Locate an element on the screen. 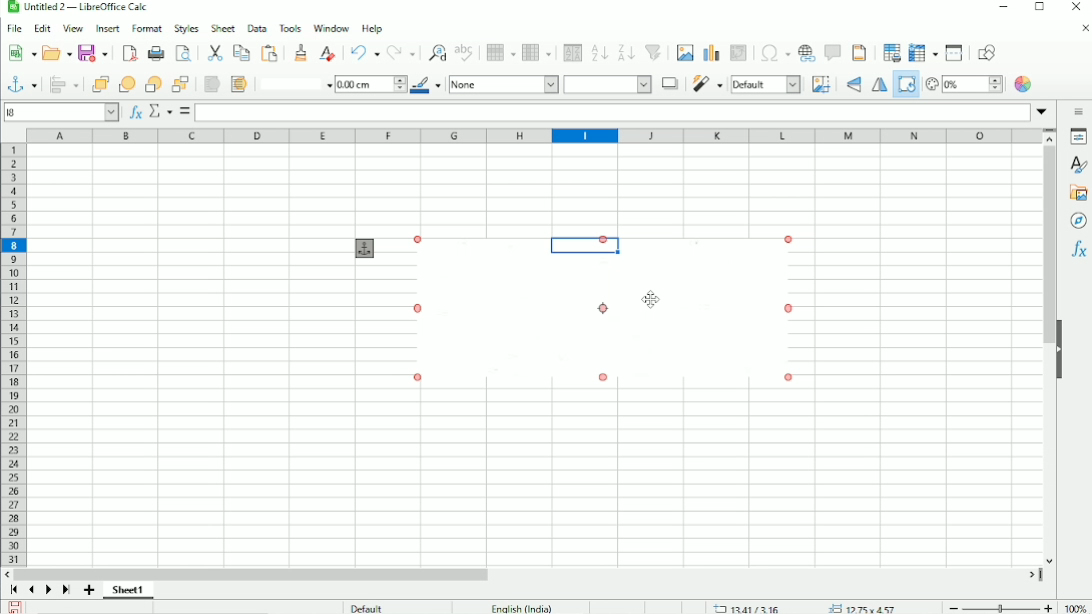 The image size is (1092, 614). Paste is located at coordinates (269, 52).